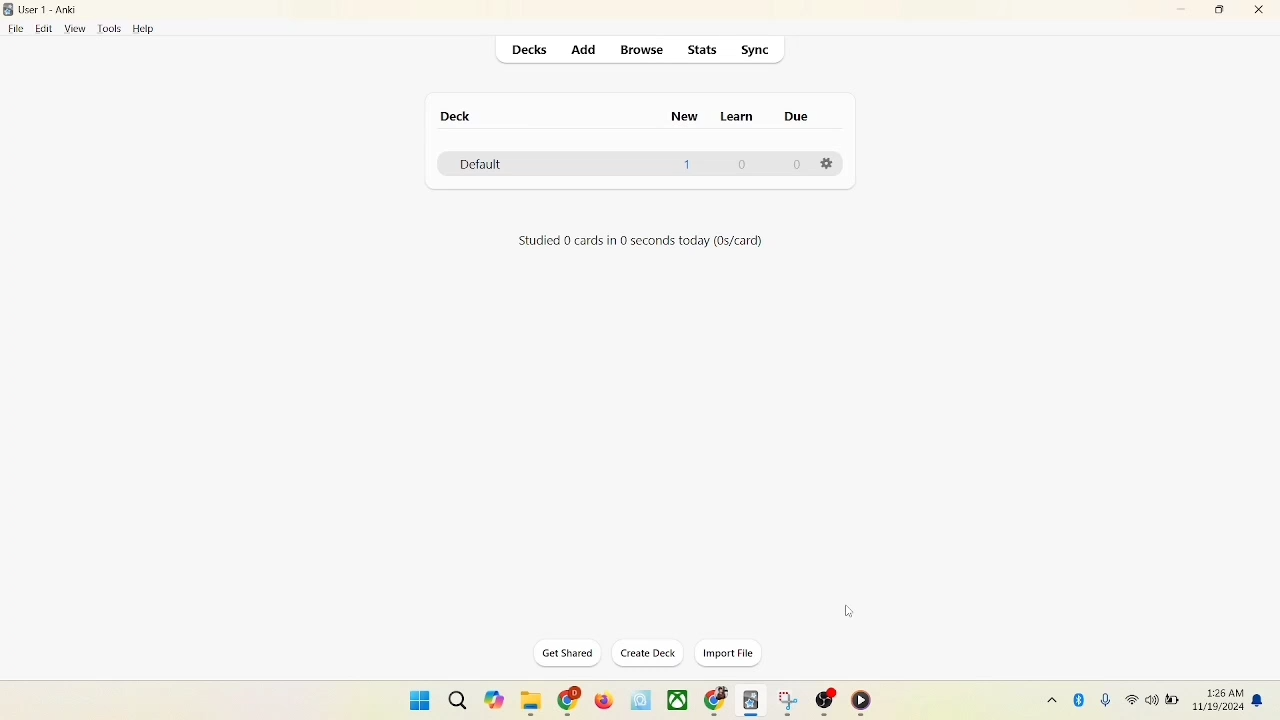 The height and width of the screenshot is (720, 1280). I want to click on show hidden icon, so click(1048, 699).